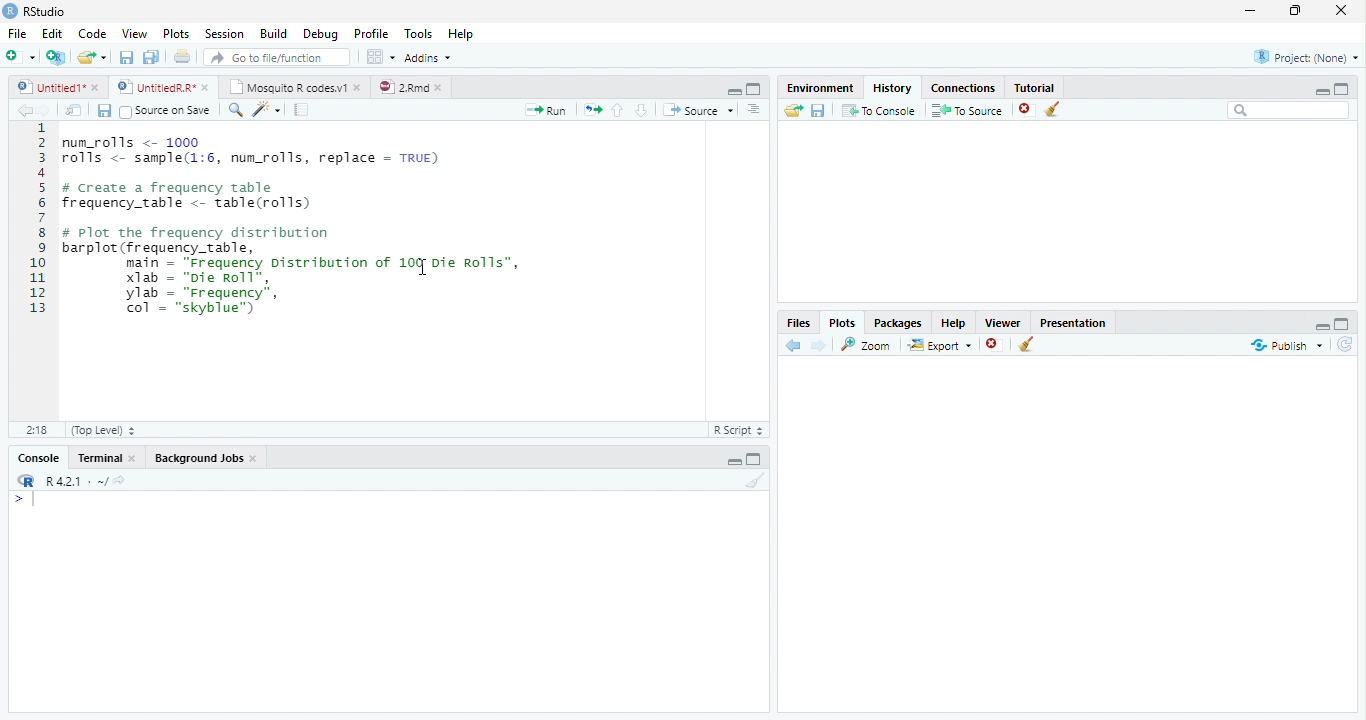  I want to click on Save File, so click(819, 110).